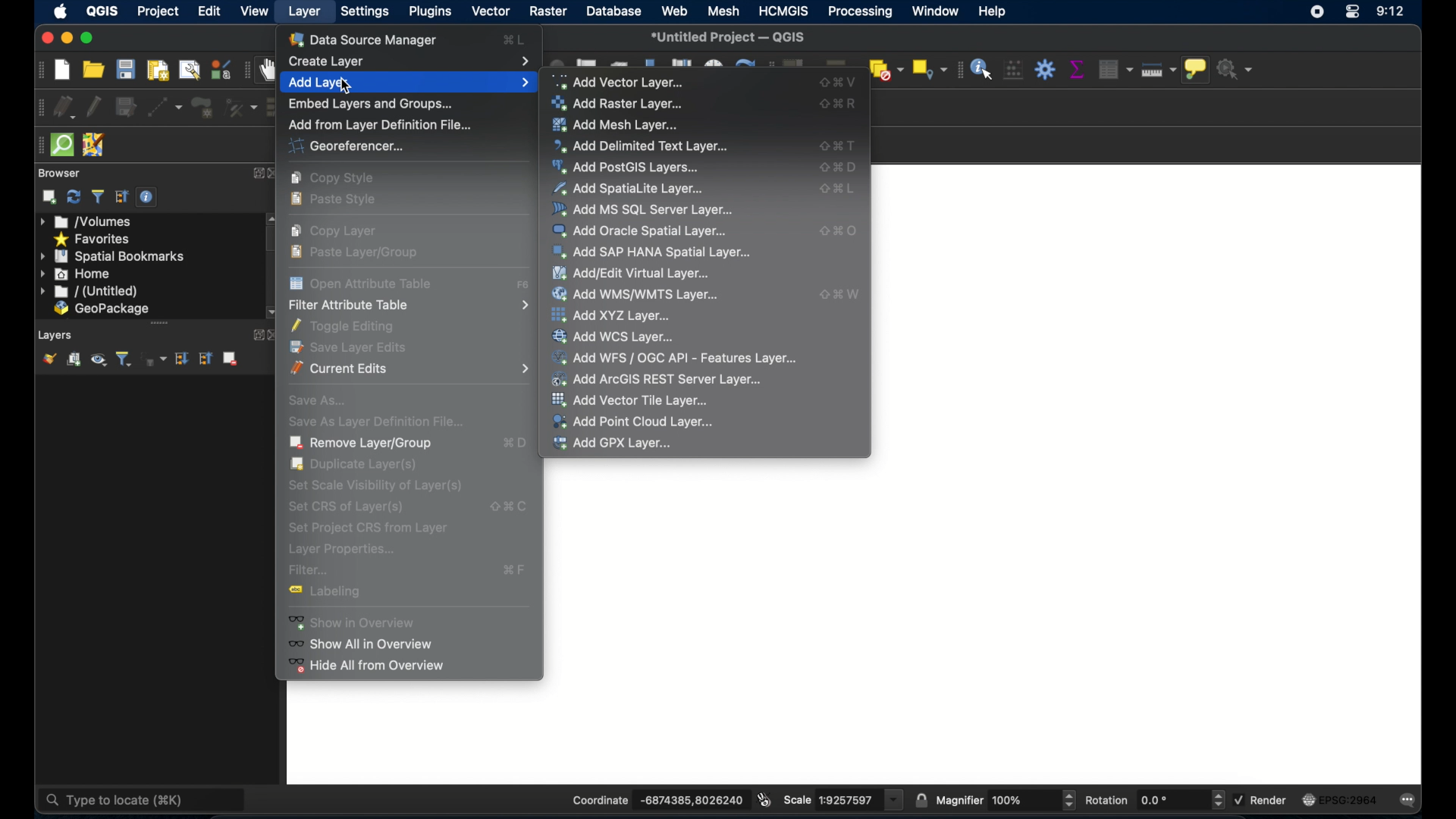 The image size is (1456, 819). I want to click on QGIS, so click(103, 11).